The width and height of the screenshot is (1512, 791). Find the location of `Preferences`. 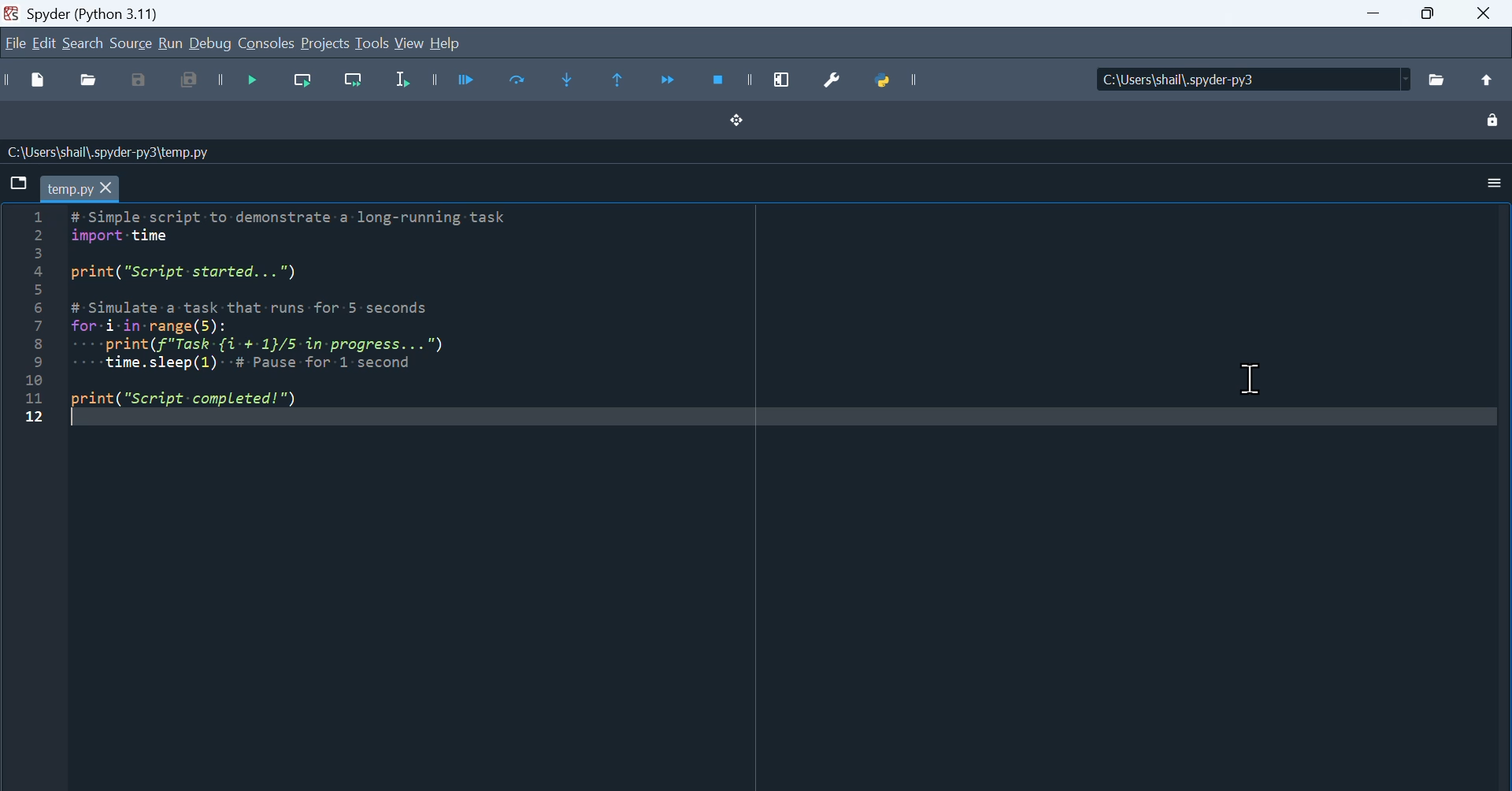

Preferences is located at coordinates (832, 81).